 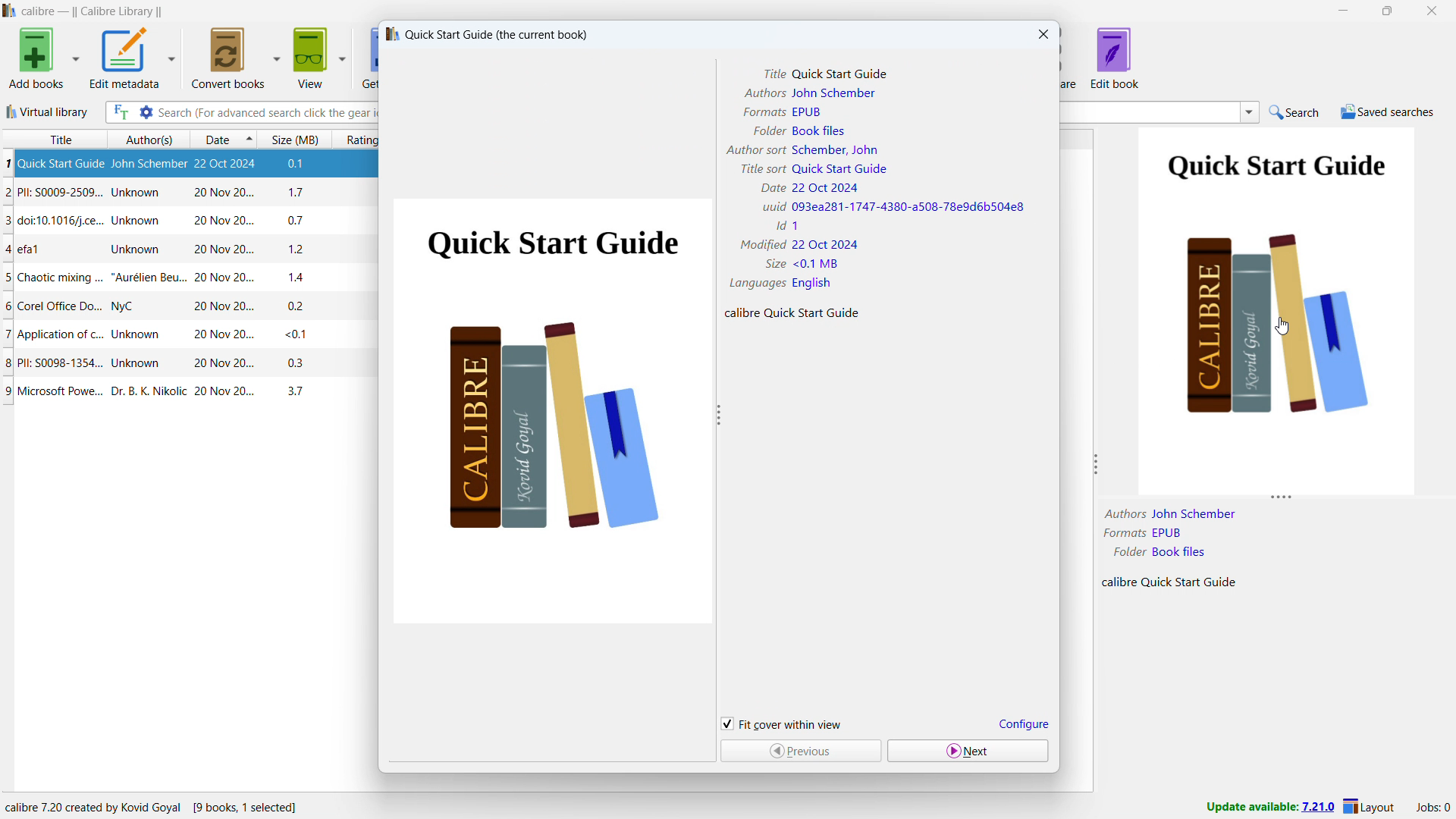 What do you see at coordinates (303, 165) in the screenshot?
I see `0.1` at bounding box center [303, 165].